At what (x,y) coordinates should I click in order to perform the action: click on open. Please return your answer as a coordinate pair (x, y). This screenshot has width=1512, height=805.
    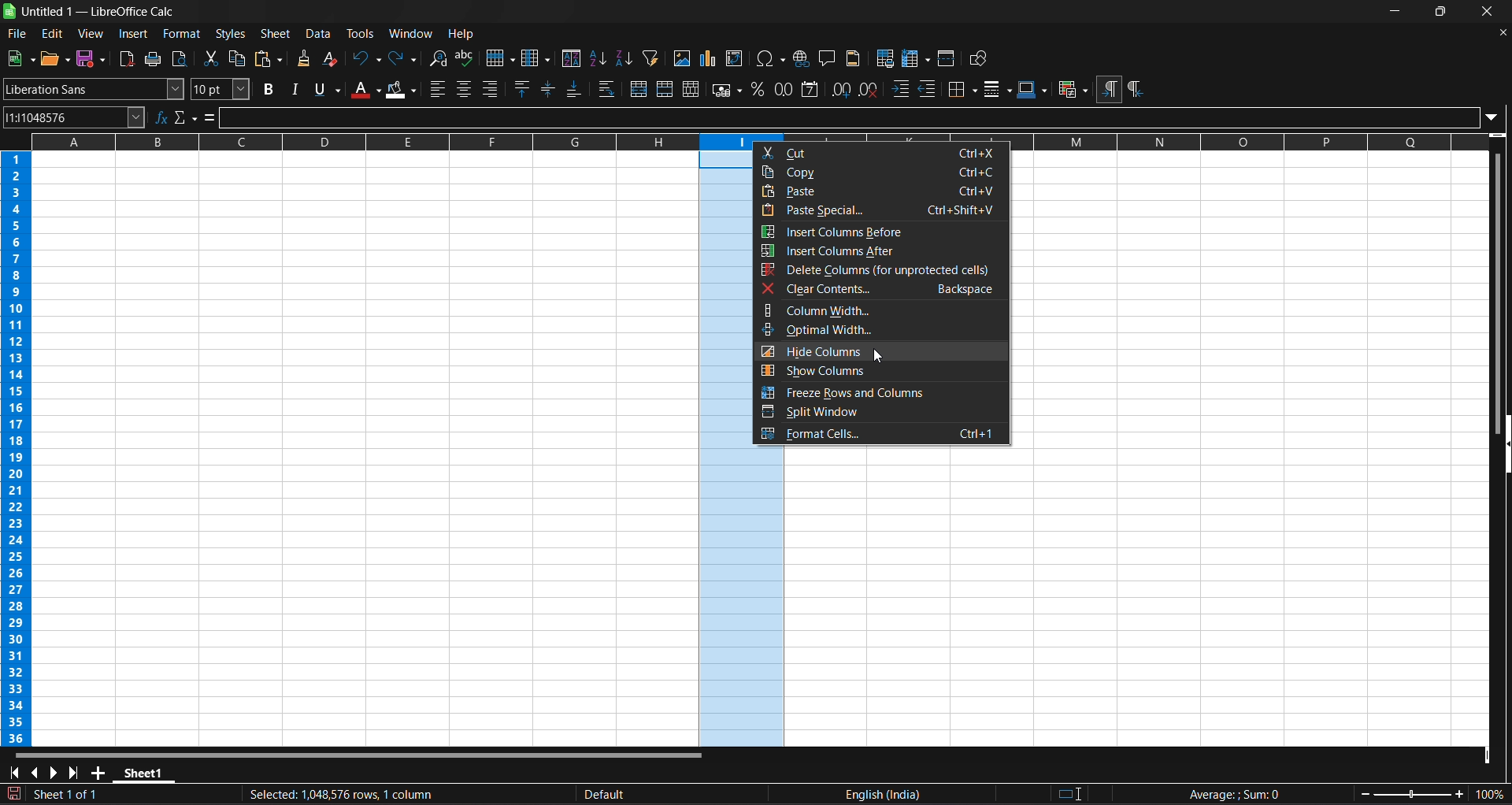
    Looking at the image, I should click on (55, 58).